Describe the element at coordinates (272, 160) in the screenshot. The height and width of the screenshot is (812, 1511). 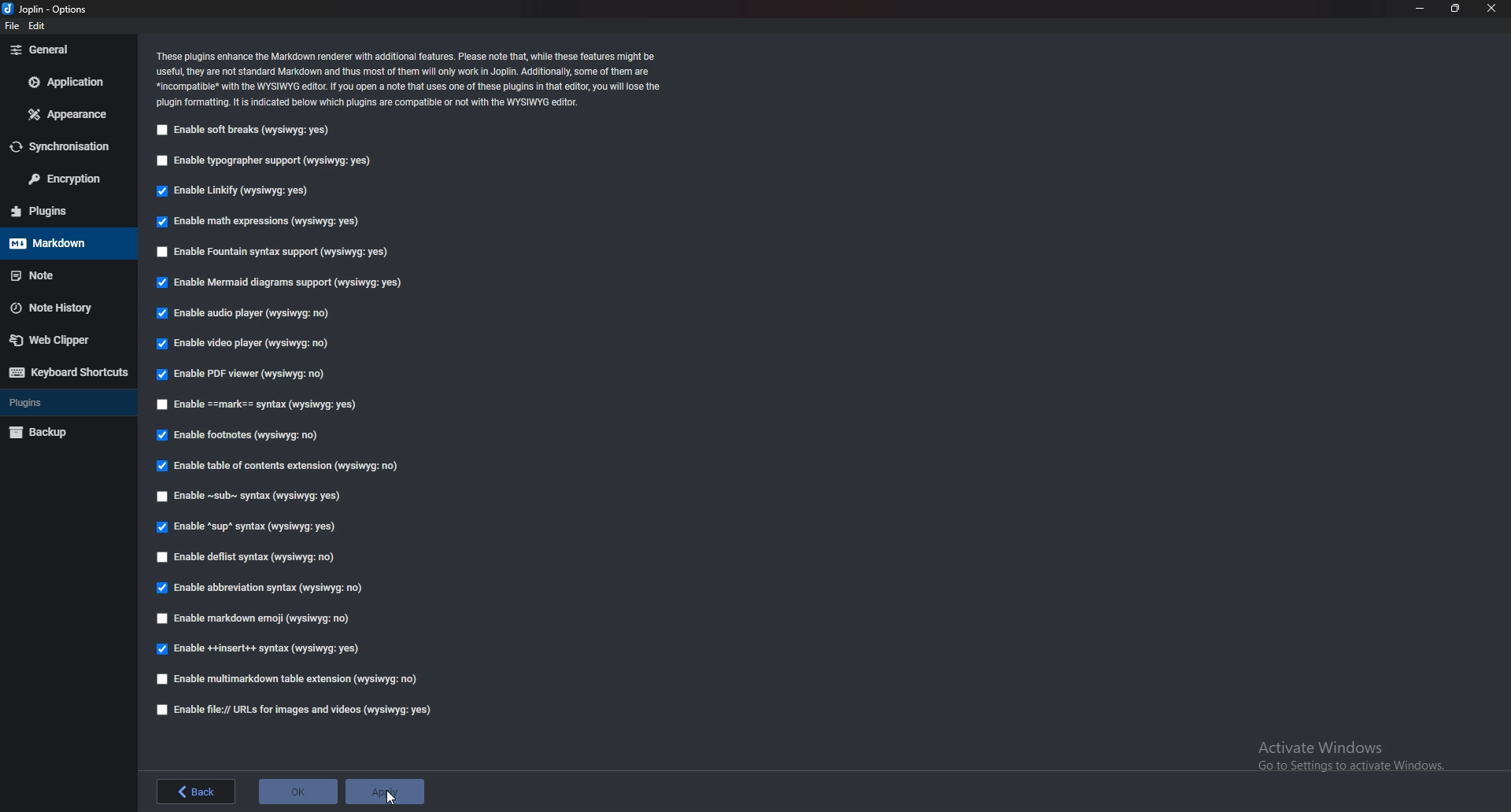
I see `Enable typographer support` at that location.